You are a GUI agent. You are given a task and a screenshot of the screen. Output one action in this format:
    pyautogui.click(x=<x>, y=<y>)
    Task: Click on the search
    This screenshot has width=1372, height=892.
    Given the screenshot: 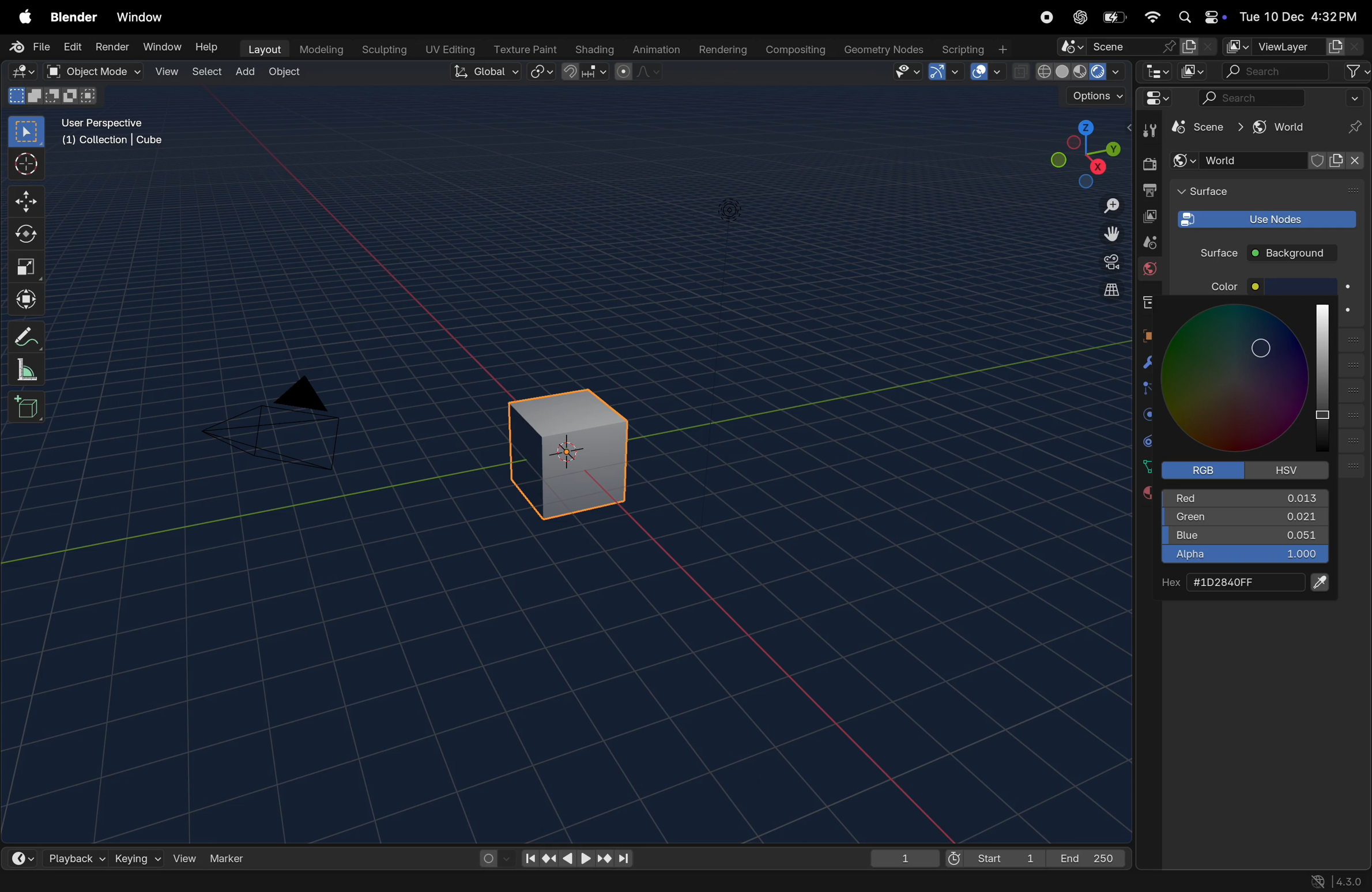 What is the action you would take?
    pyautogui.click(x=1296, y=71)
    